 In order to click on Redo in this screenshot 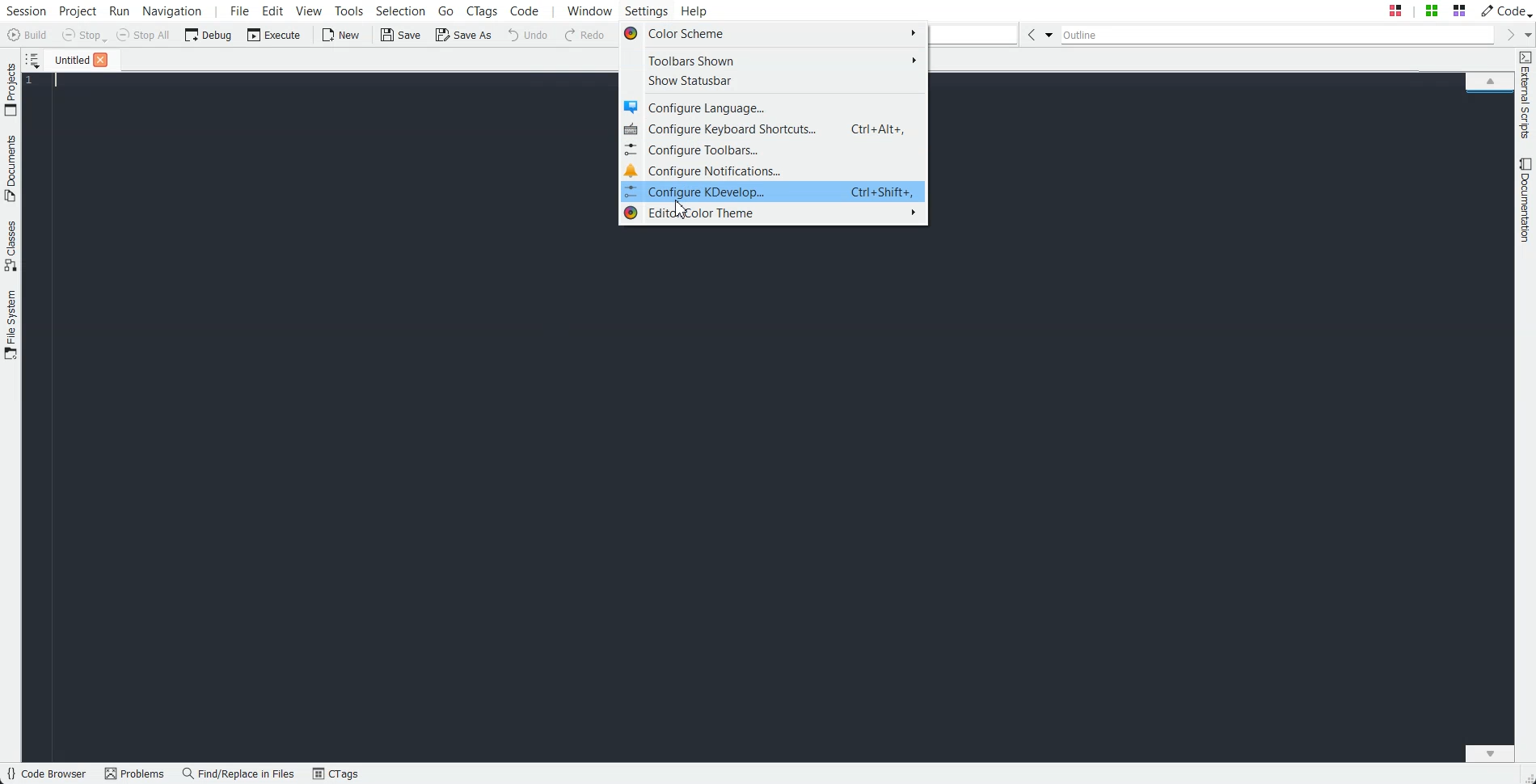, I will do `click(585, 36)`.